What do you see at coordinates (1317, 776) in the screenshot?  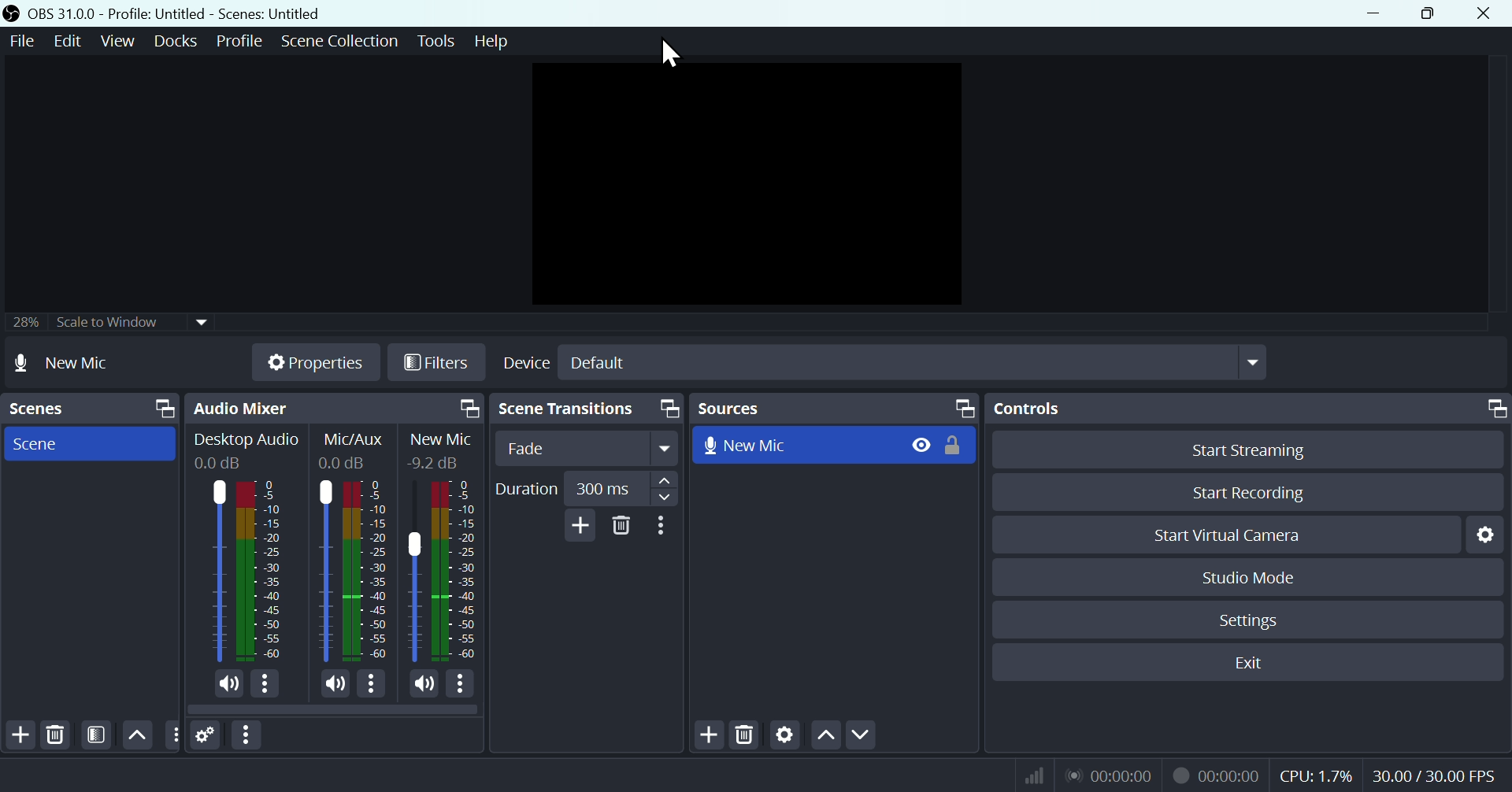 I see `CPU Usage` at bounding box center [1317, 776].